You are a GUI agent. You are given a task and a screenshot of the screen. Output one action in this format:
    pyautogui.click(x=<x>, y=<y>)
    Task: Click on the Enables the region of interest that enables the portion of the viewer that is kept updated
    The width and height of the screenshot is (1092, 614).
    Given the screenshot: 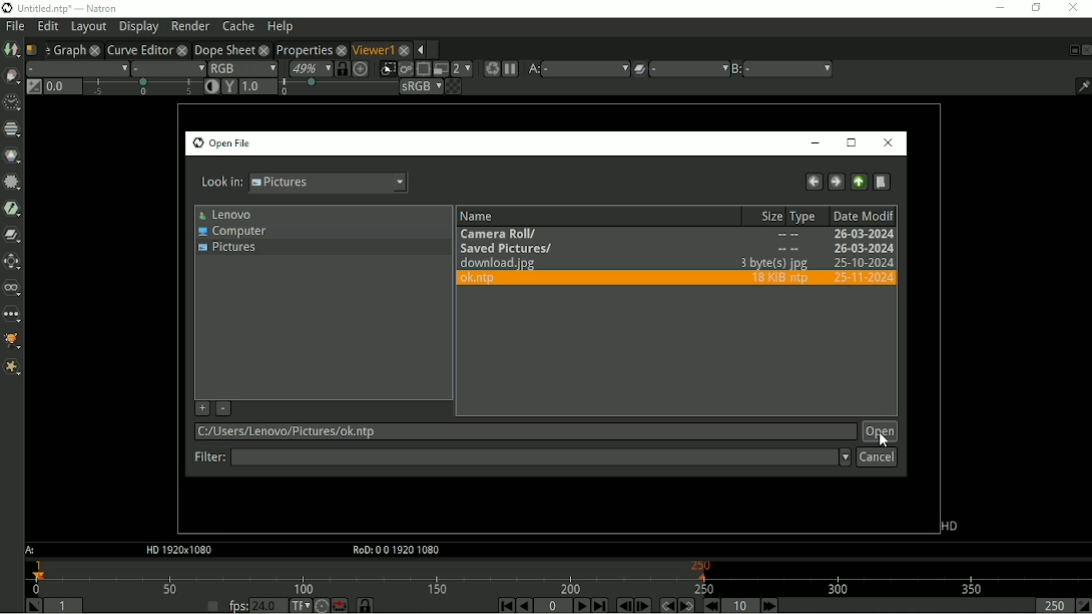 What is the action you would take?
    pyautogui.click(x=422, y=69)
    